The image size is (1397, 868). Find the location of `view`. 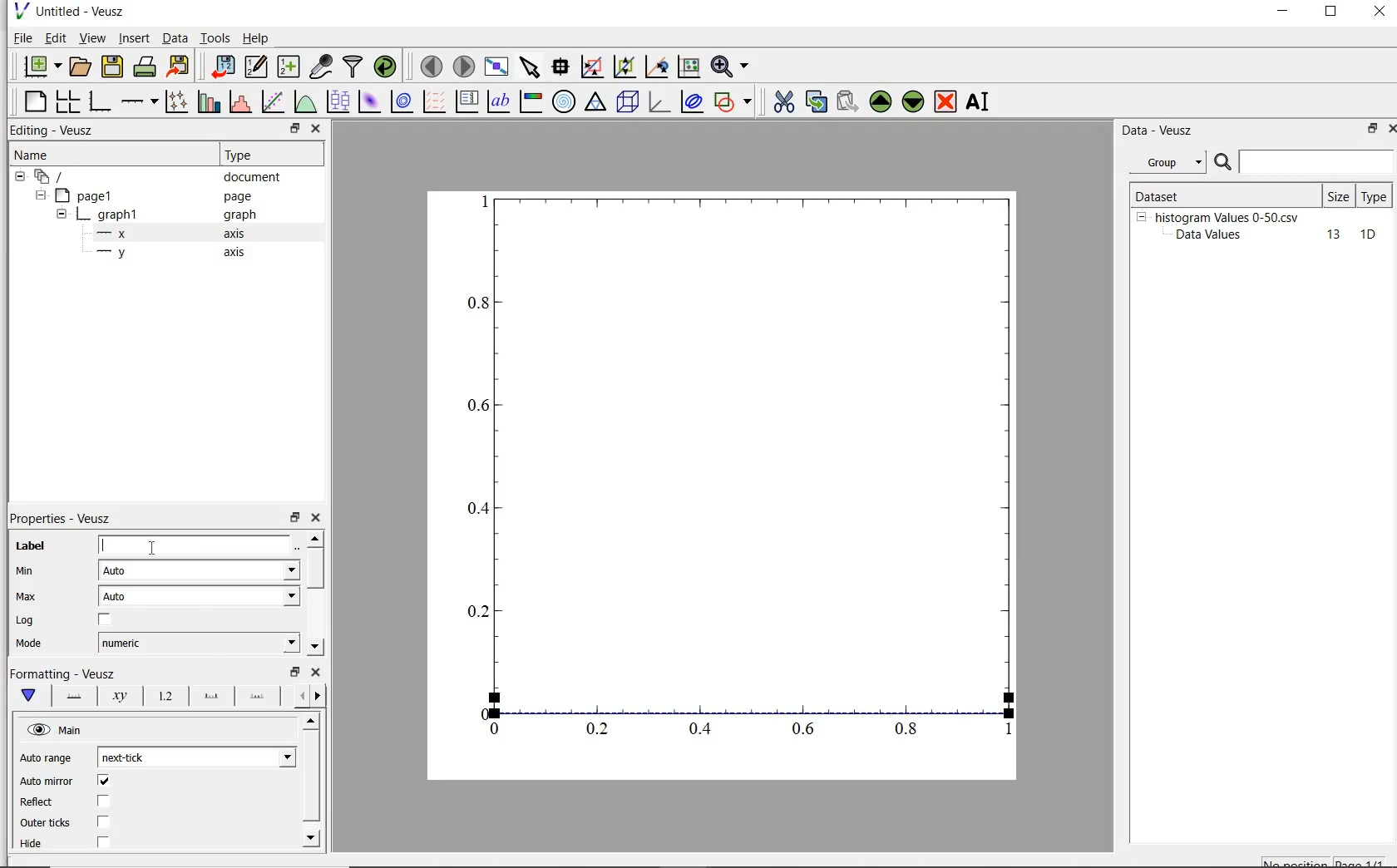

view is located at coordinates (95, 37).